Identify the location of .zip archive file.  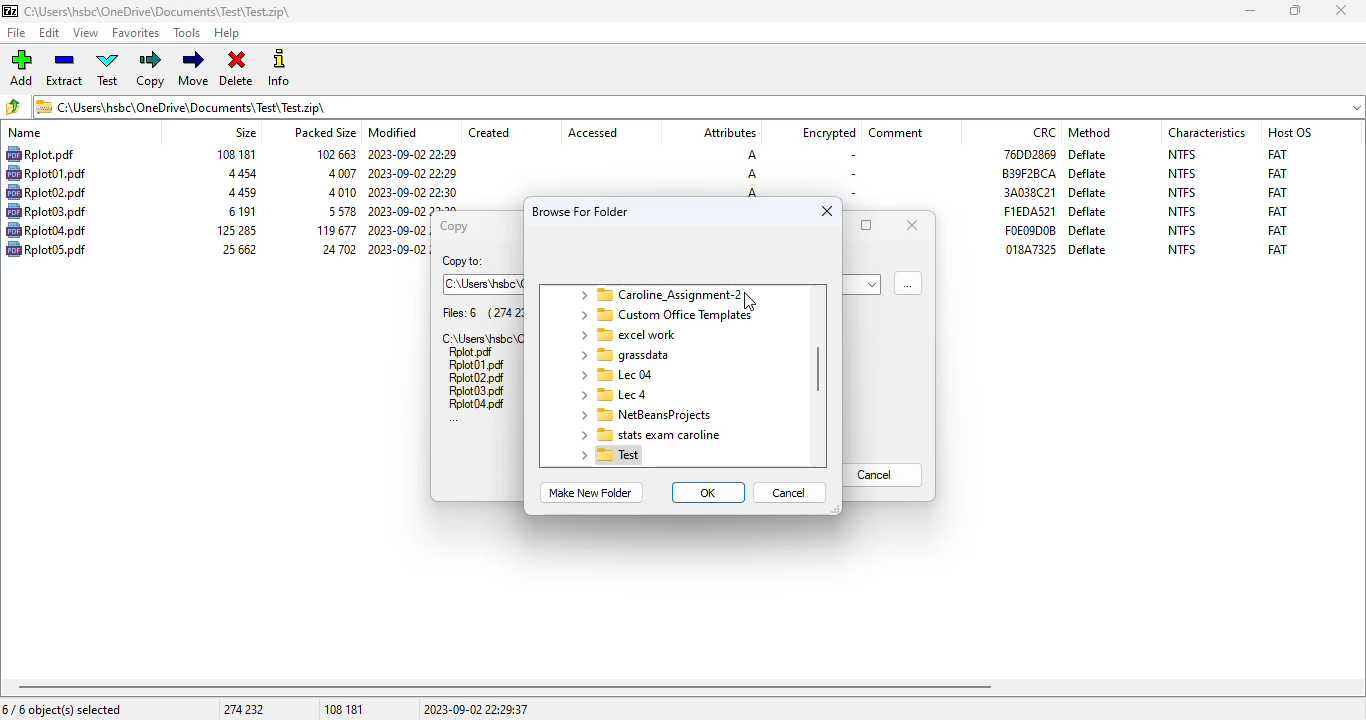
(481, 337).